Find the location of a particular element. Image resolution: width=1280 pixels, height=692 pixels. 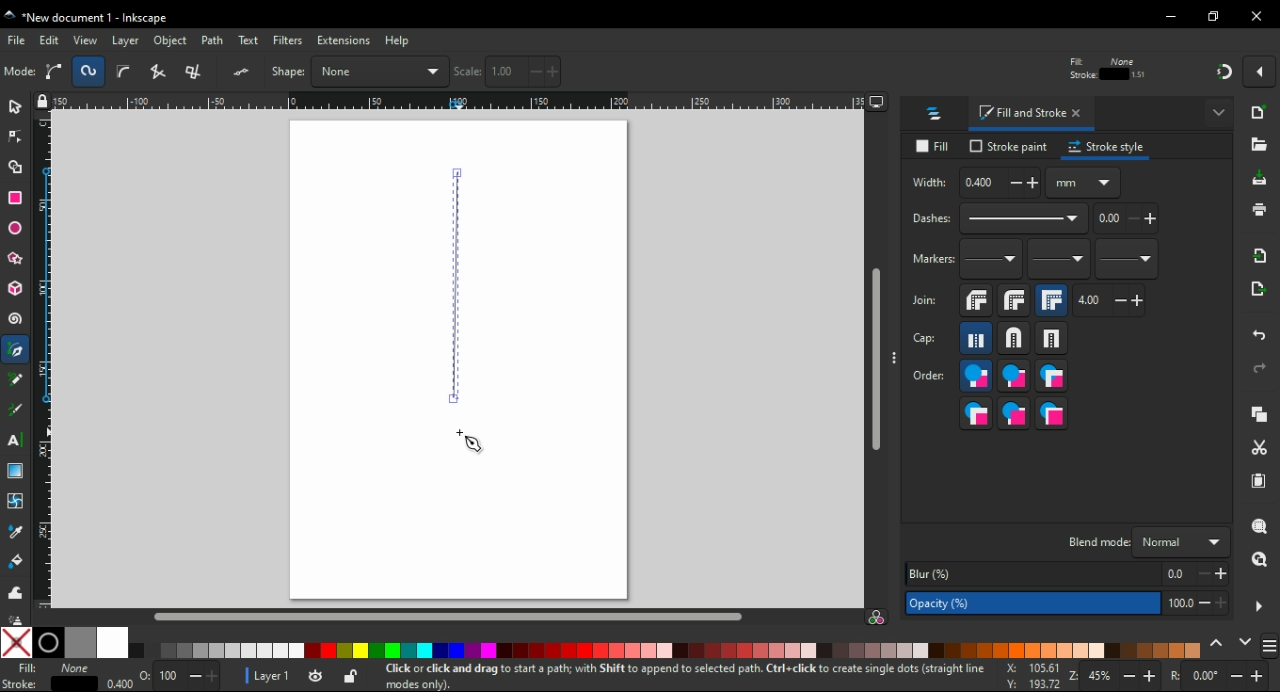

edit is located at coordinates (50, 40).